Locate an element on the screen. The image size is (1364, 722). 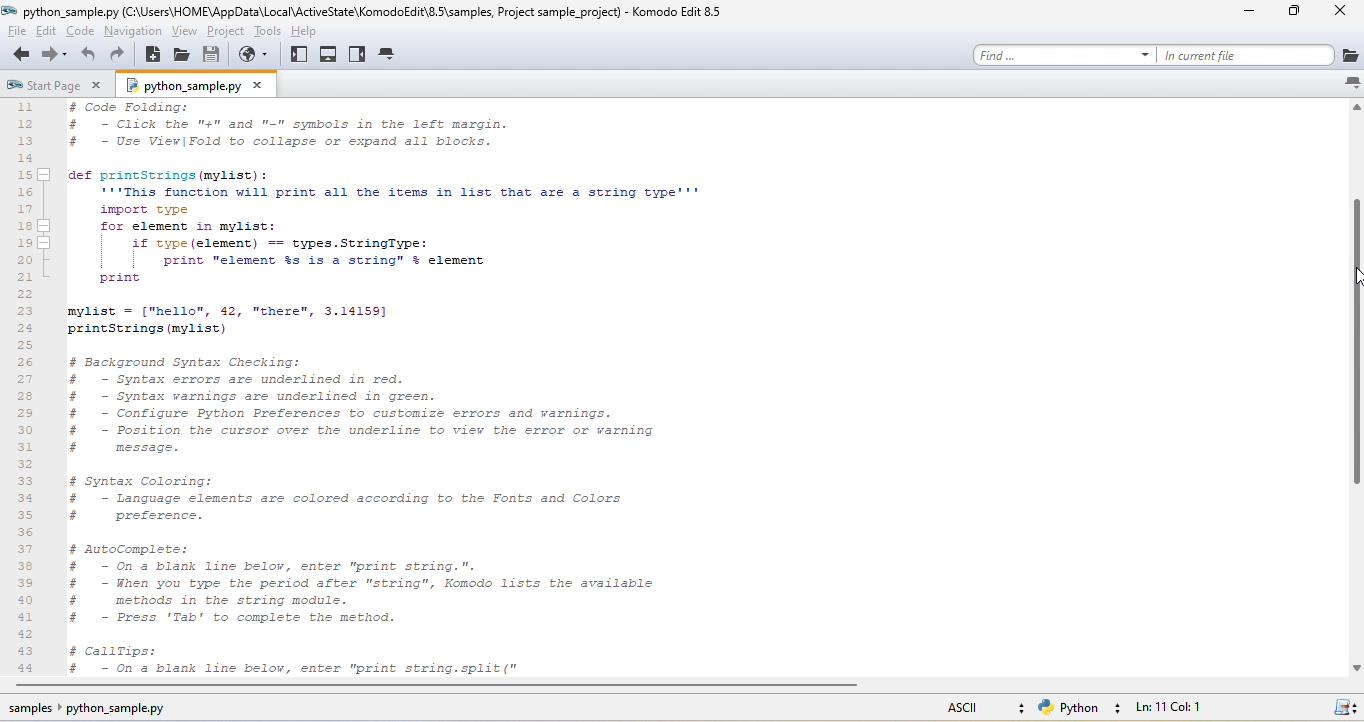
file is located at coordinates (15, 31).